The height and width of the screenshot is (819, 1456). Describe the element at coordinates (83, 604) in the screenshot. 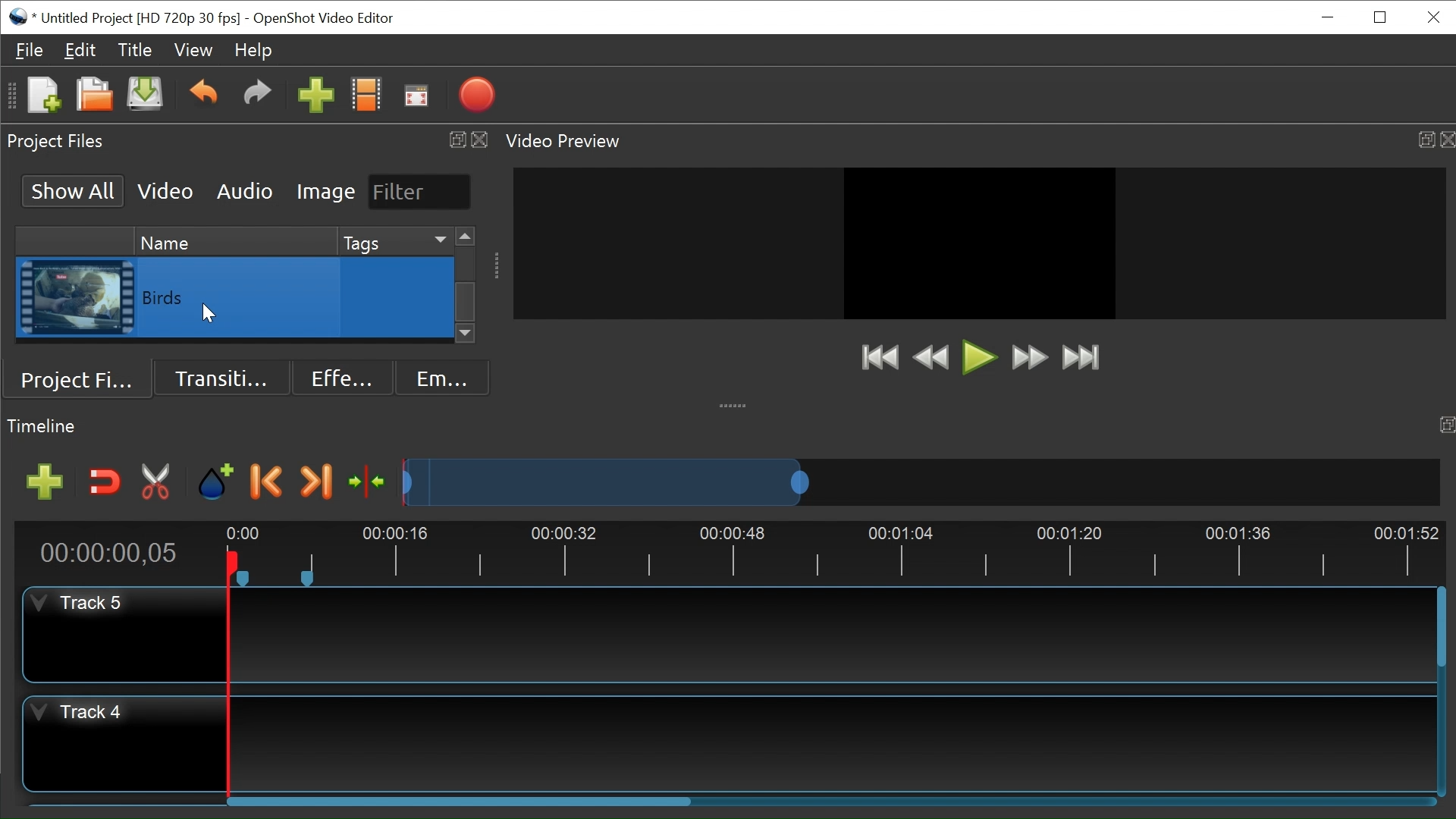

I see `Track Header` at that location.